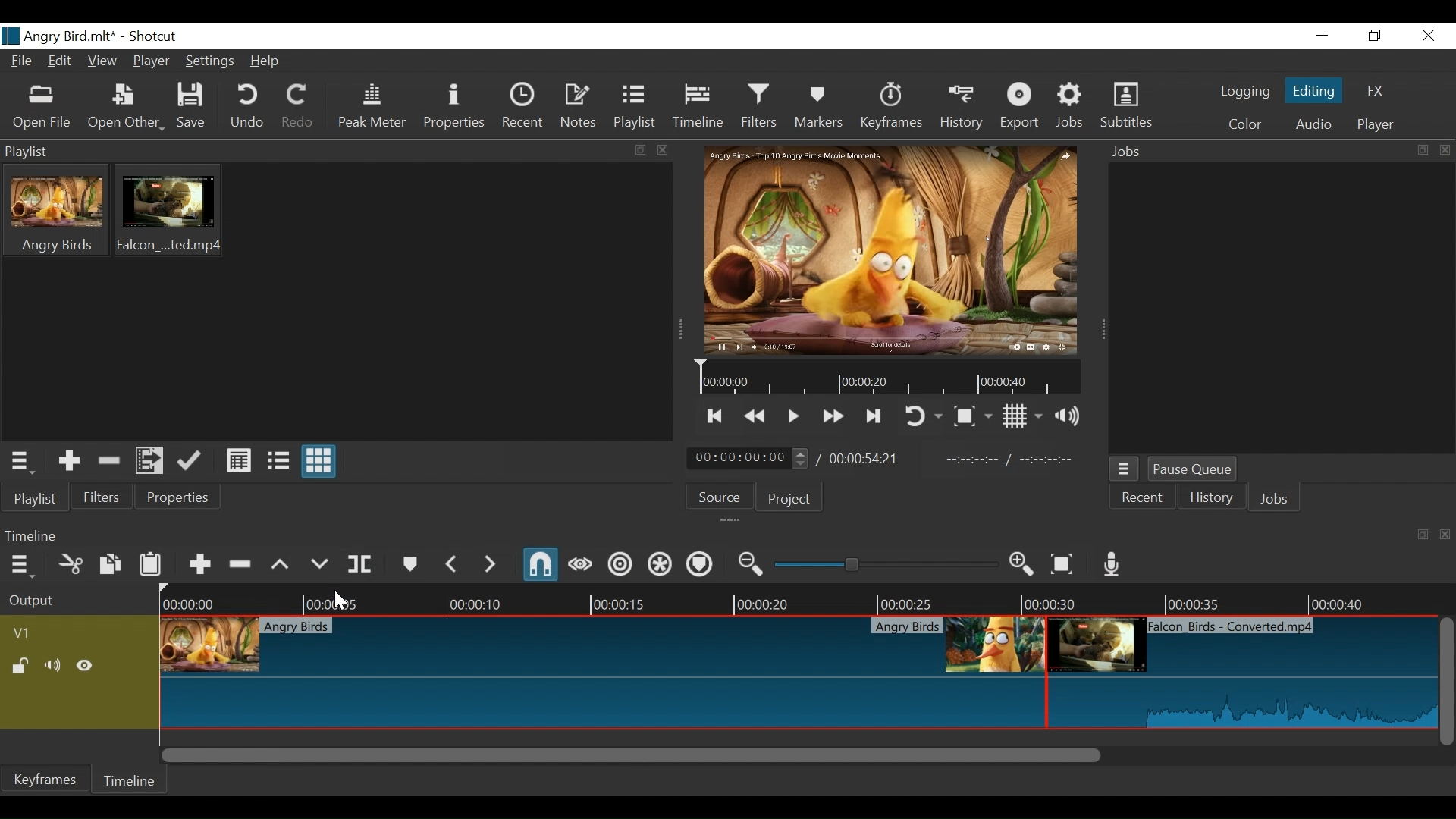  Describe the element at coordinates (601, 672) in the screenshot. I see `Clip` at that location.